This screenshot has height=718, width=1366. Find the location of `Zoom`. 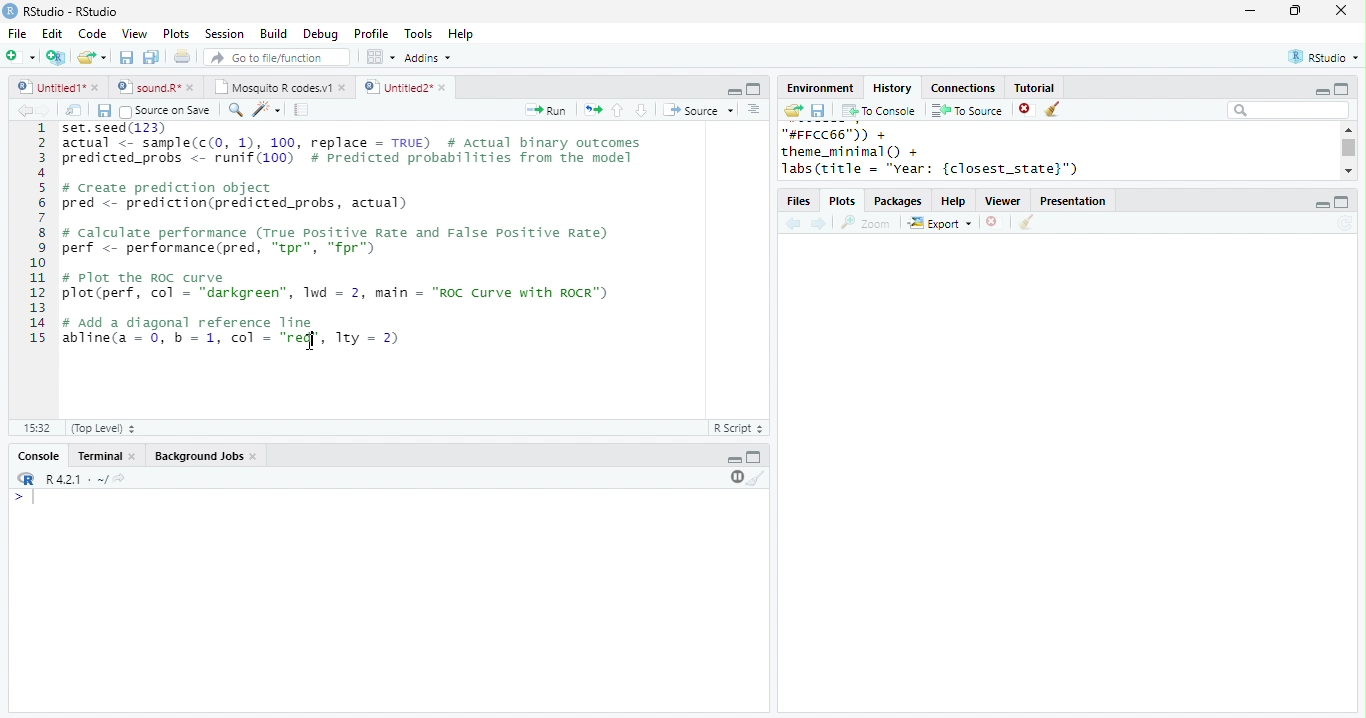

Zoom is located at coordinates (866, 223).